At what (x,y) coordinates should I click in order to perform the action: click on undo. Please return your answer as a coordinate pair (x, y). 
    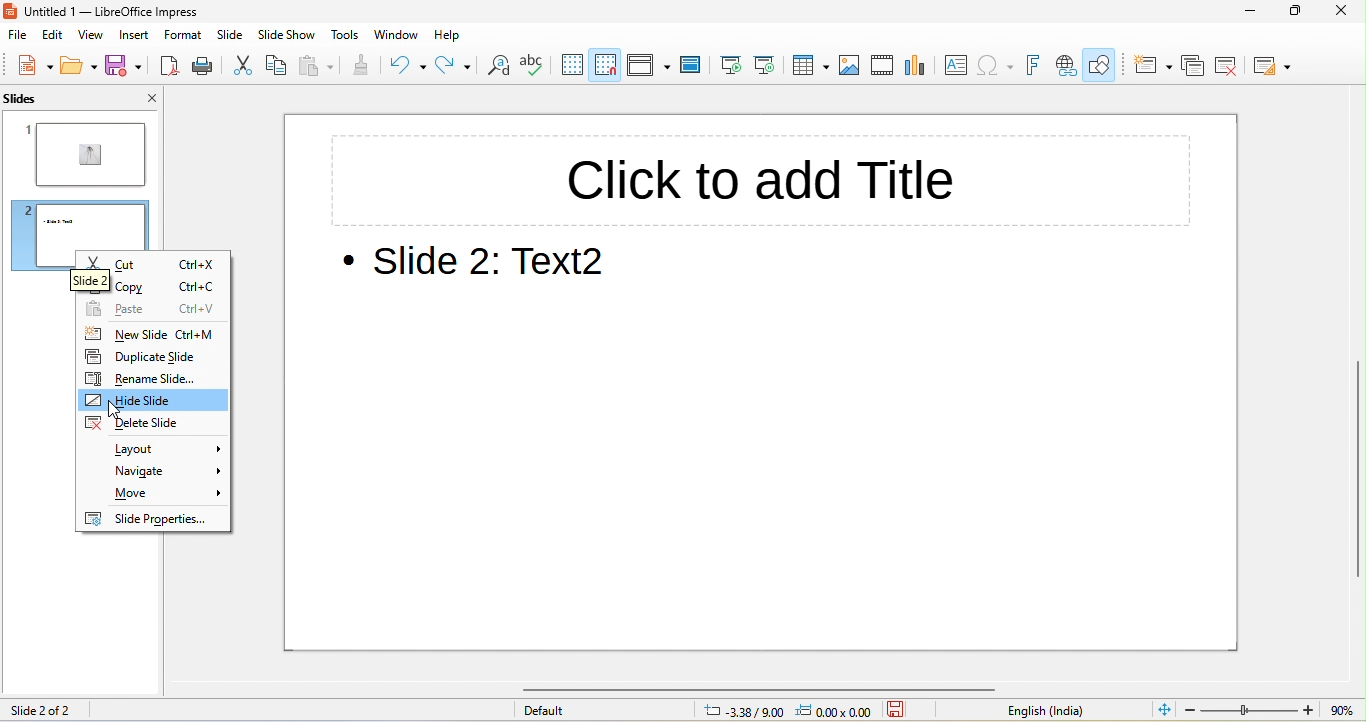
    Looking at the image, I should click on (406, 68).